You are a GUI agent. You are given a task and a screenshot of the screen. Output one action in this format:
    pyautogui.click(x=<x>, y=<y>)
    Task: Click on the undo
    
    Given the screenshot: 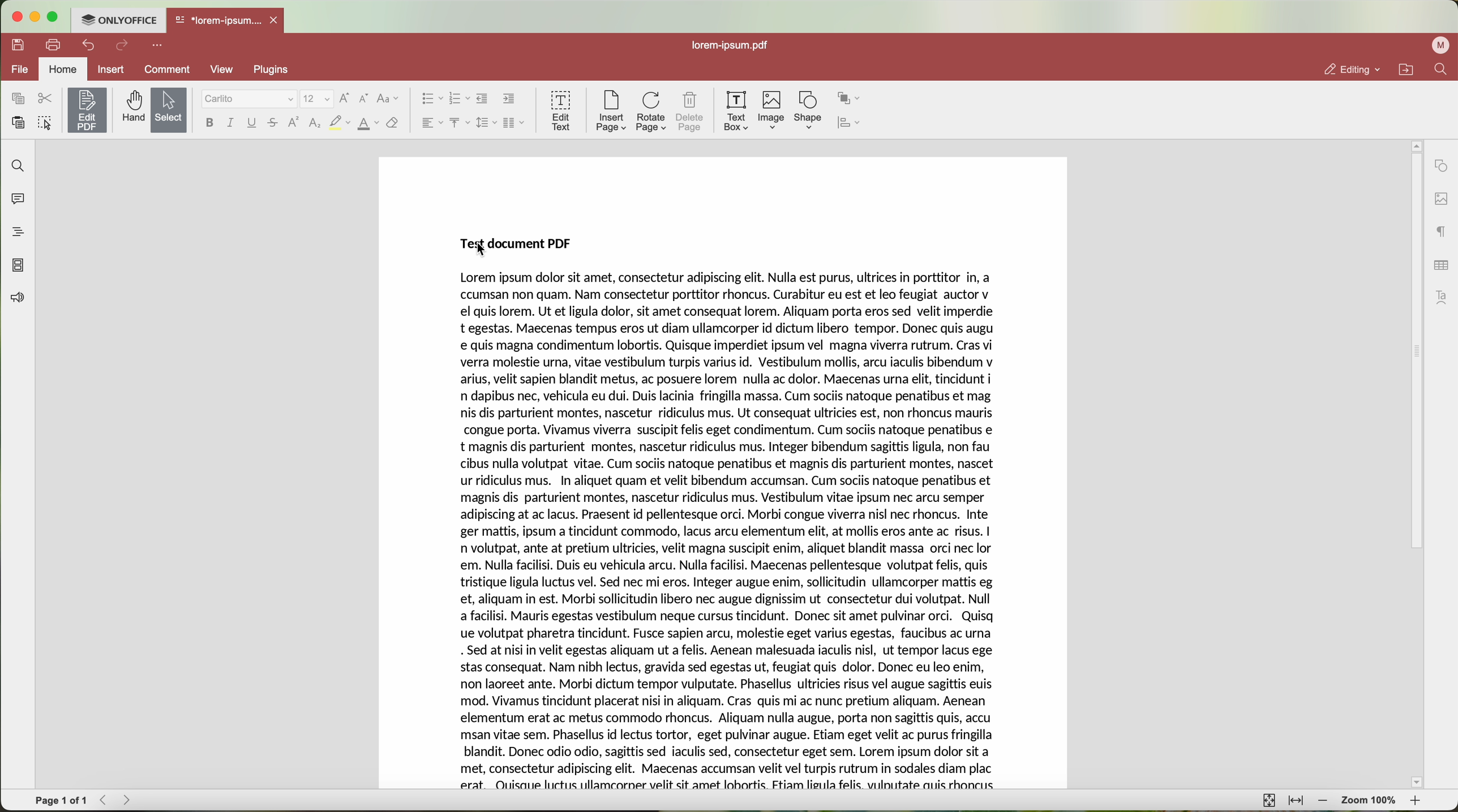 What is the action you would take?
    pyautogui.click(x=87, y=46)
    